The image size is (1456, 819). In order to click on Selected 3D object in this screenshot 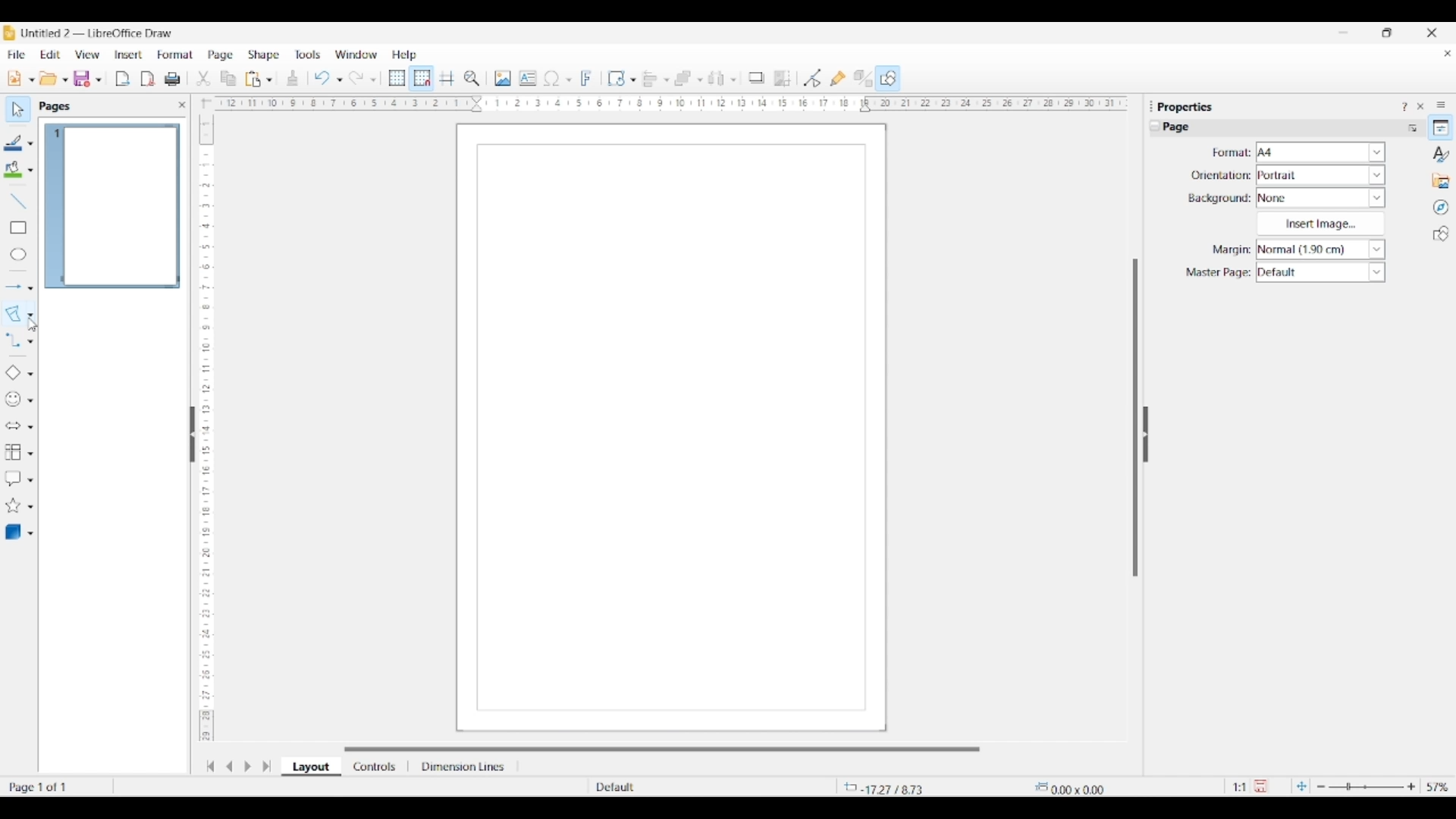, I will do `click(11, 532)`.